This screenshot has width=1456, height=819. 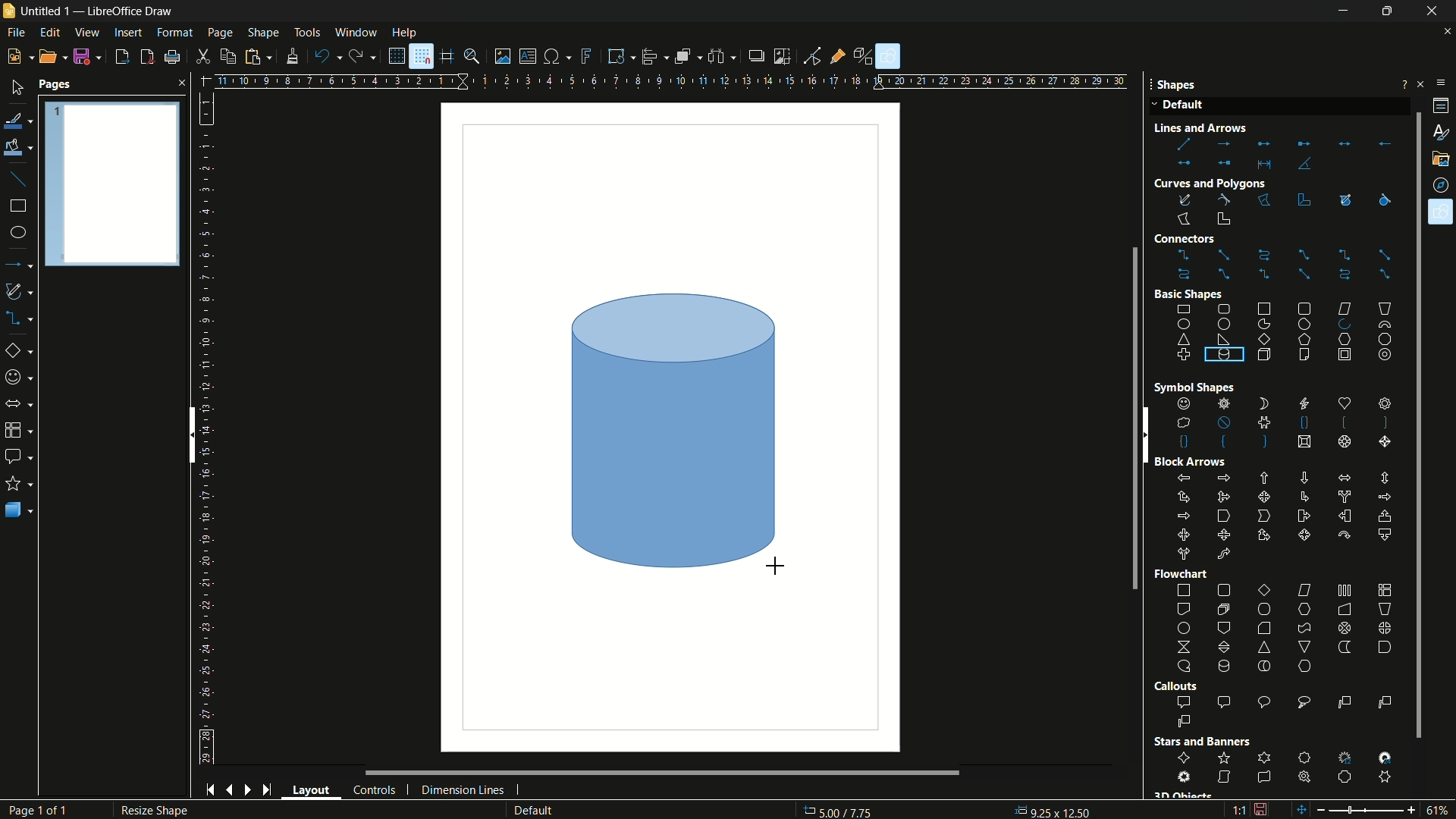 What do you see at coordinates (20, 483) in the screenshot?
I see `stars and banners` at bounding box center [20, 483].